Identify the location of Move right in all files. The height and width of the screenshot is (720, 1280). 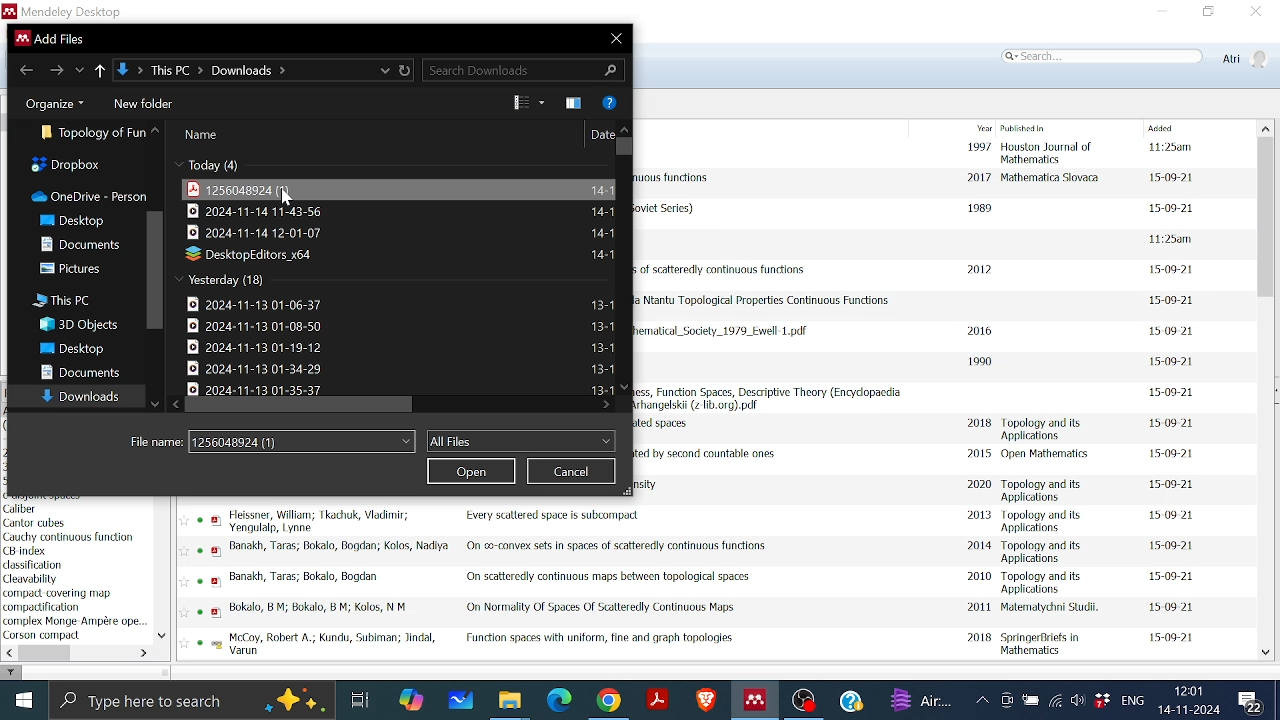
(606, 406).